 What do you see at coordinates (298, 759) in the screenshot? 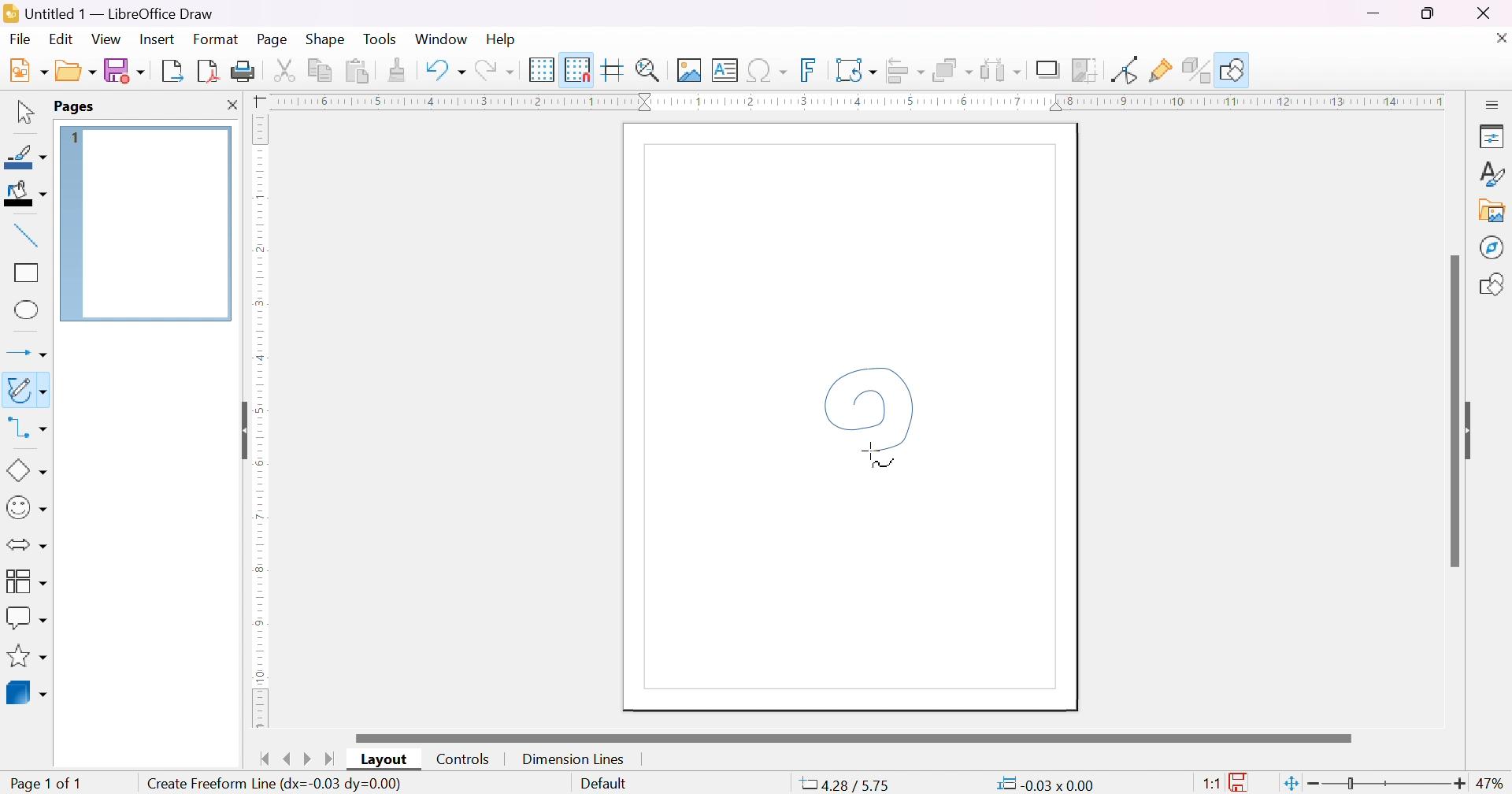
I see `next/previous` at bounding box center [298, 759].